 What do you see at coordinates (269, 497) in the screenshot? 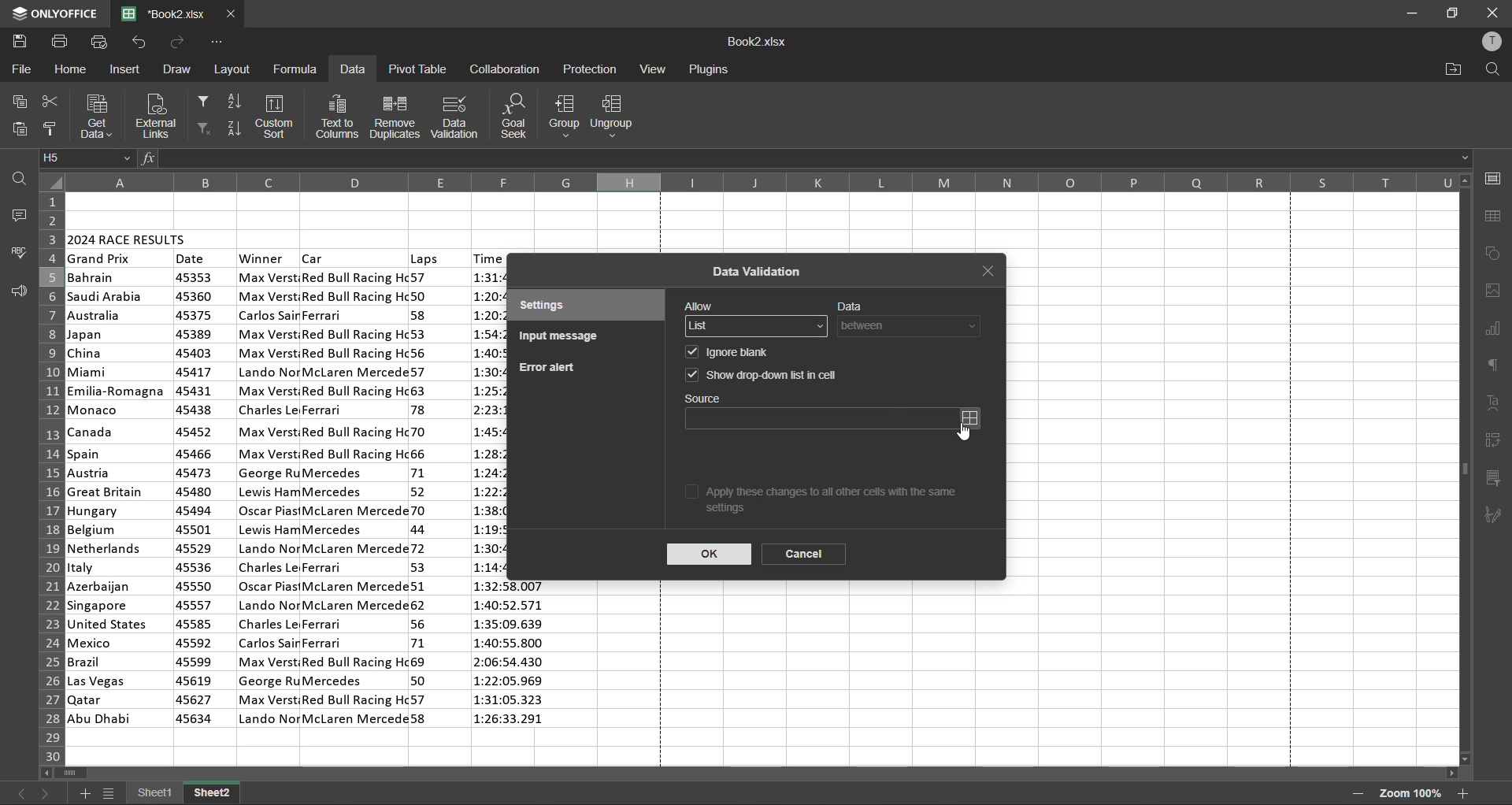
I see `winner` at bounding box center [269, 497].